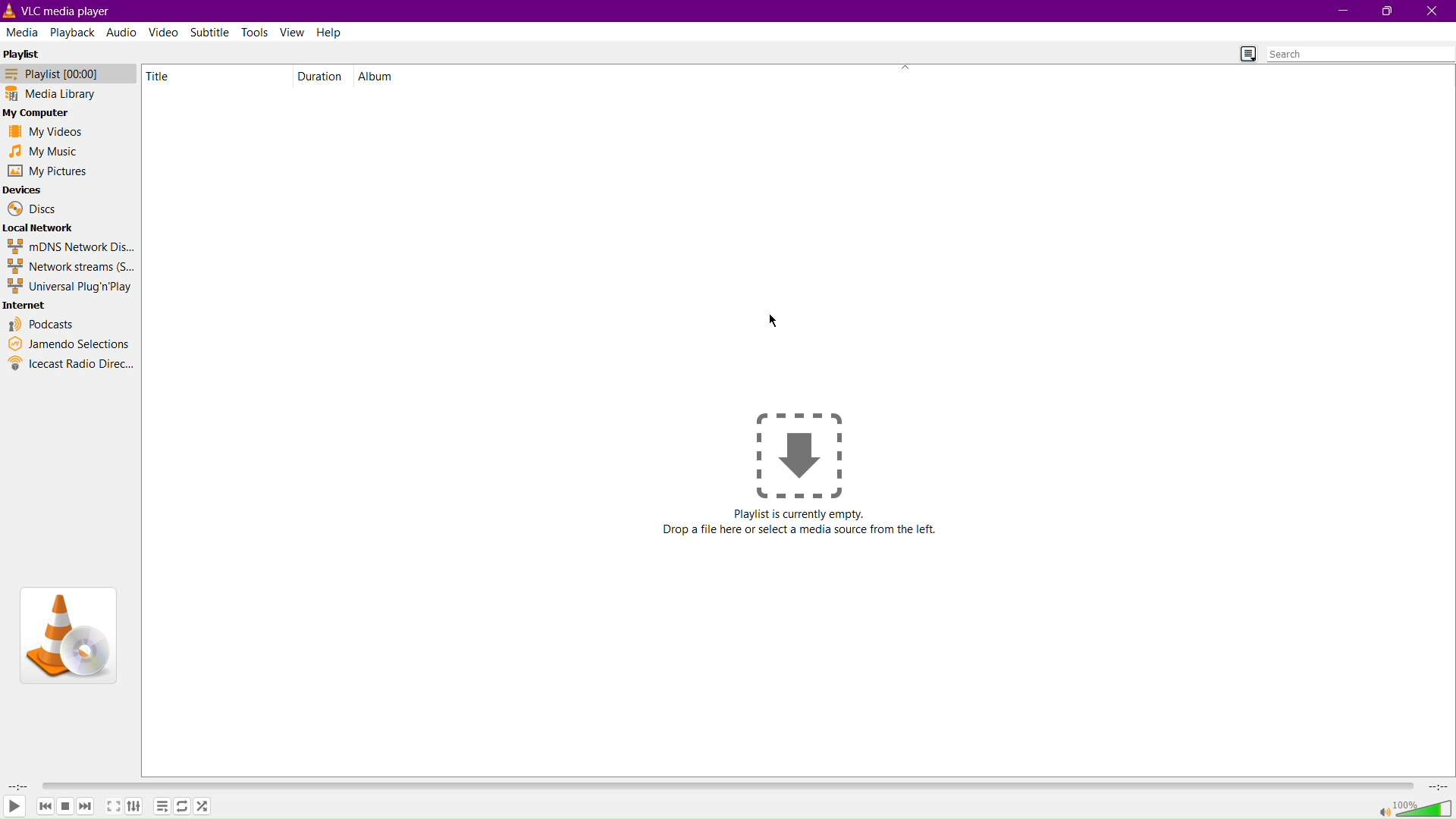  What do you see at coordinates (86, 806) in the screenshot?
I see `Skip Forward` at bounding box center [86, 806].